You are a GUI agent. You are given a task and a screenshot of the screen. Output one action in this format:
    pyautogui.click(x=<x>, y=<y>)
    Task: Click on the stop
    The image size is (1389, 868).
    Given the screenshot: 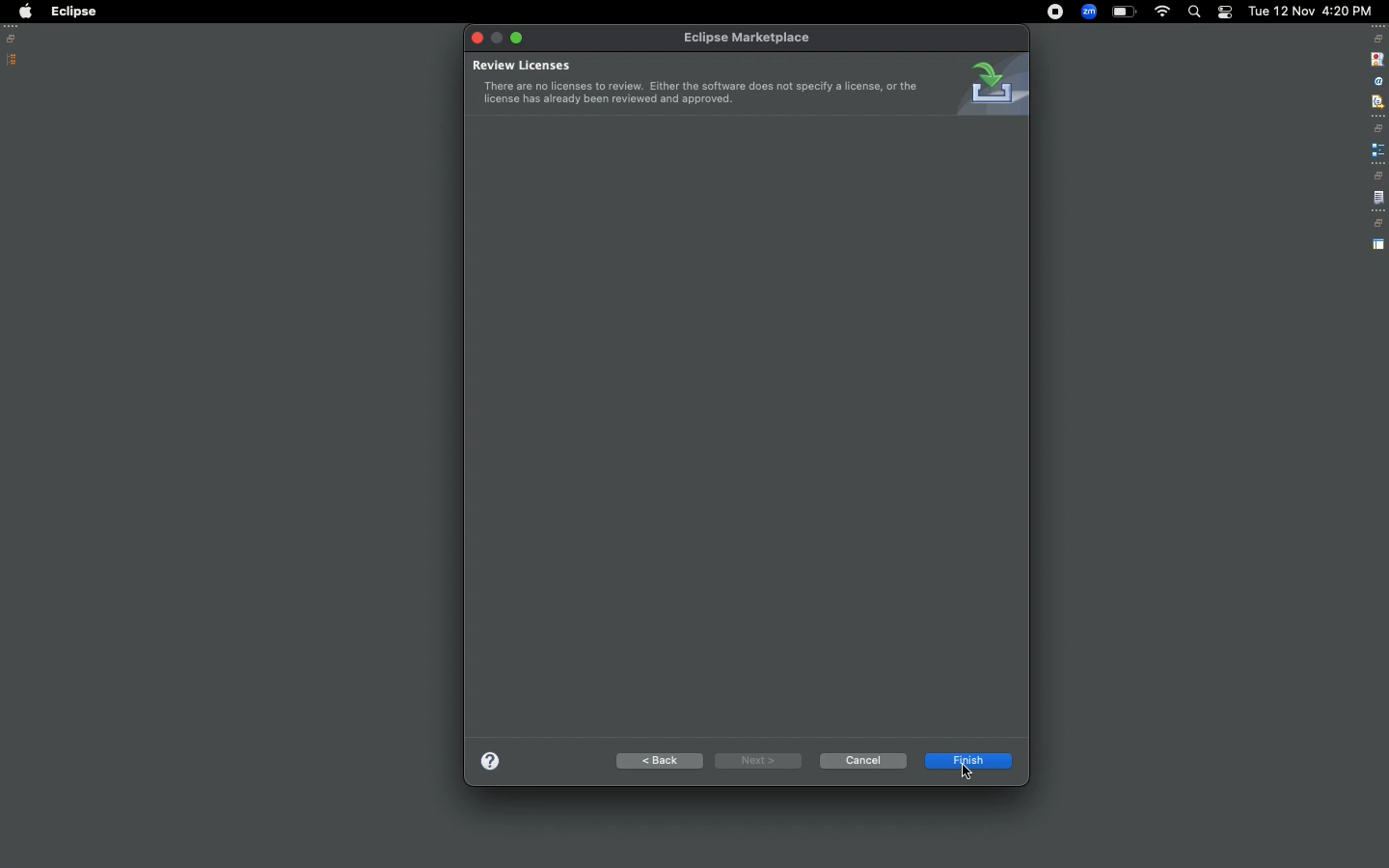 What is the action you would take?
    pyautogui.click(x=1375, y=58)
    